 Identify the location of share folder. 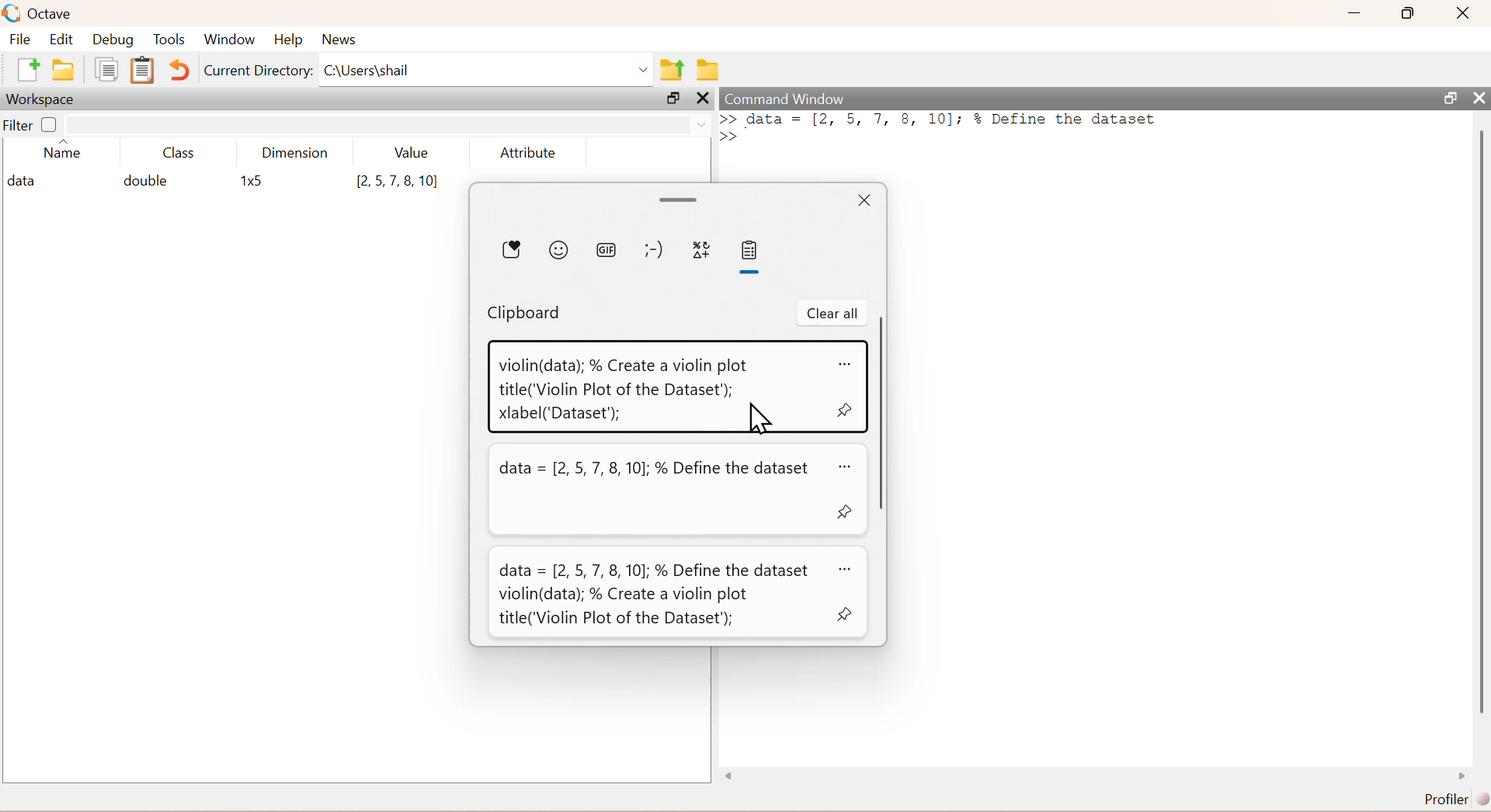
(673, 70).